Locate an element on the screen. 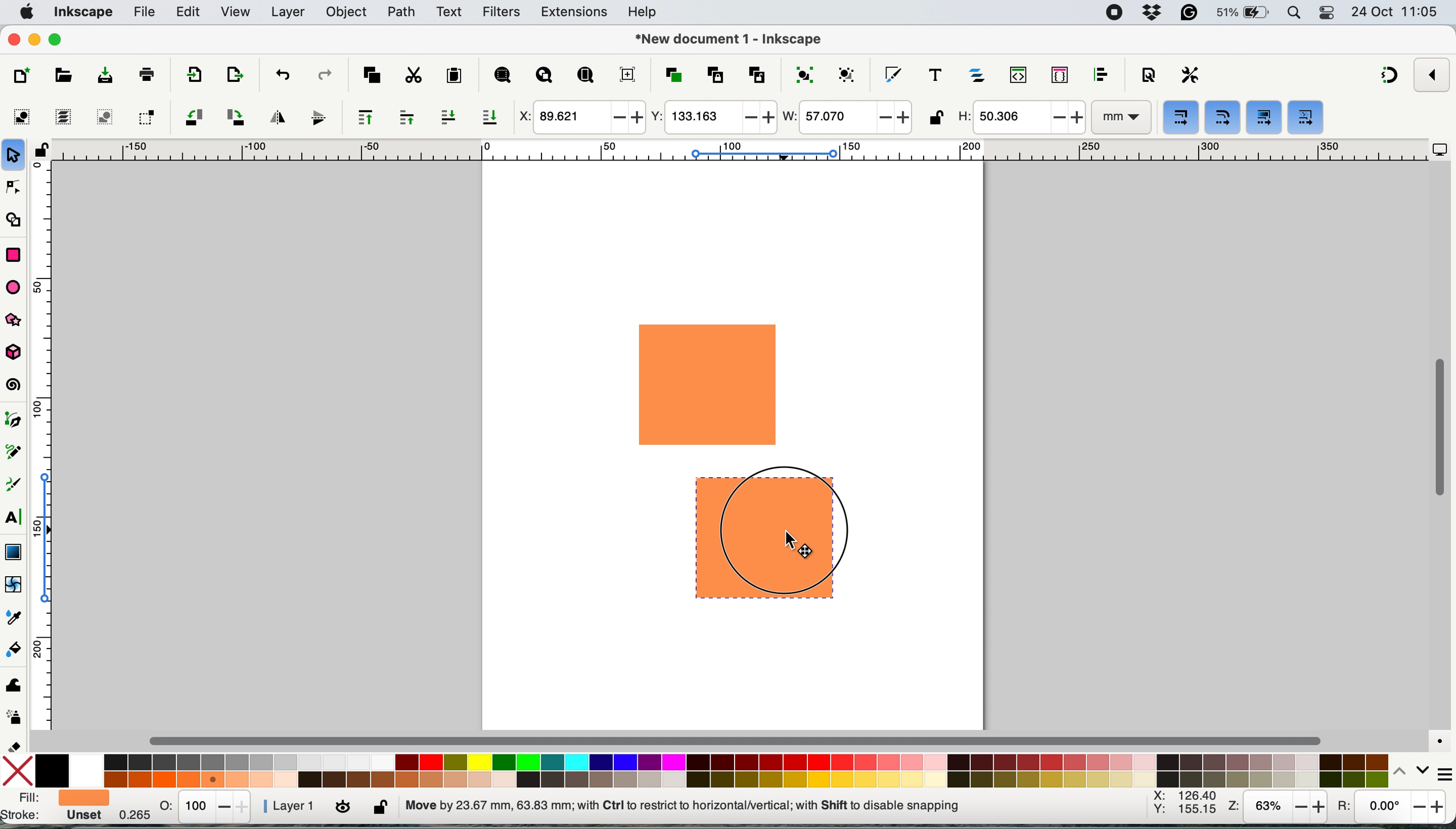 The width and height of the screenshot is (1456, 829). view is located at coordinates (237, 13).